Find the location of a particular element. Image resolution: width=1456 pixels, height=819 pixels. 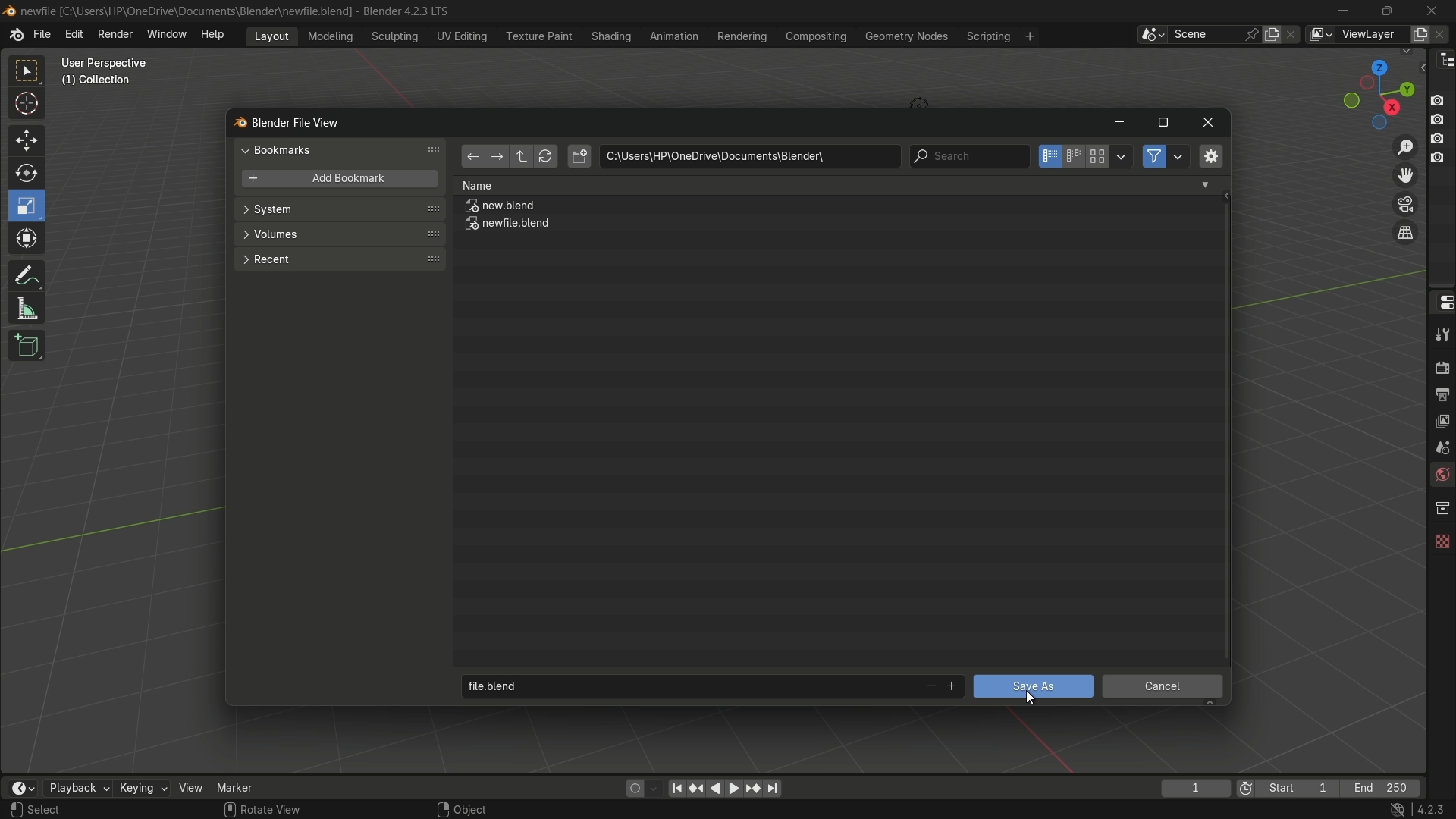

playback is located at coordinates (77, 788).